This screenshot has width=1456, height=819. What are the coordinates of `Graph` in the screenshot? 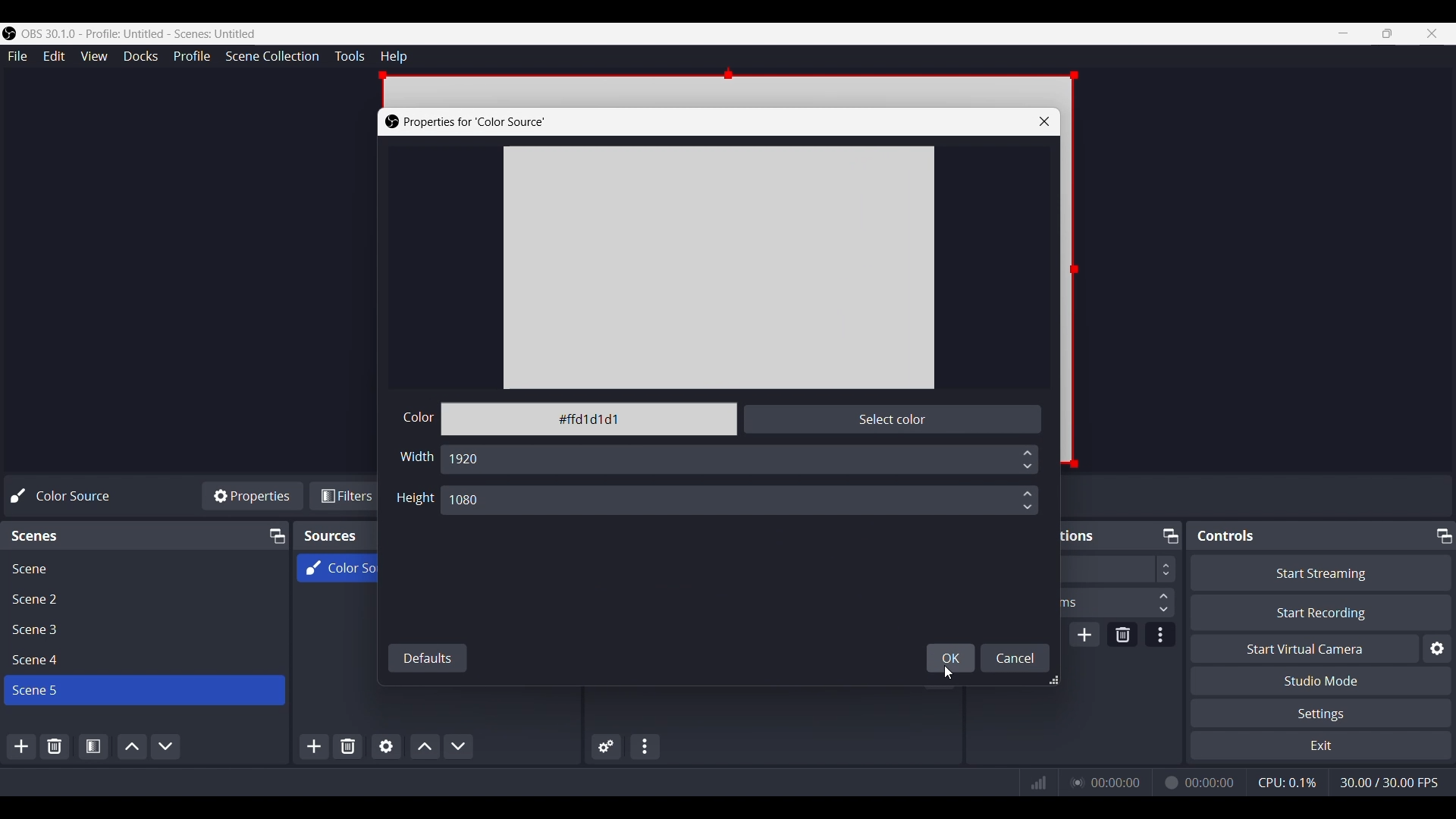 It's located at (1037, 782).